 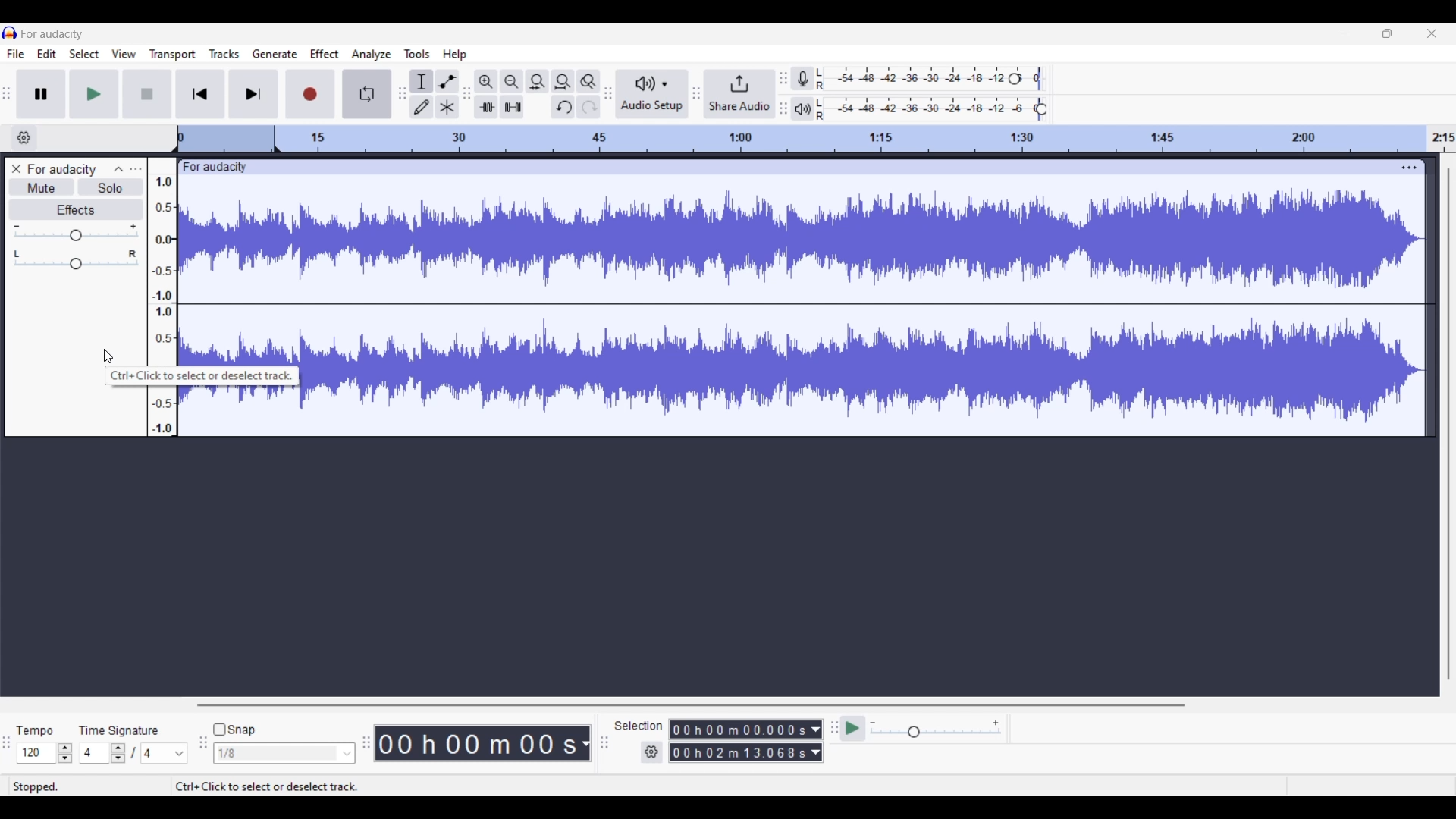 What do you see at coordinates (311, 94) in the screenshot?
I see `Record/Record new track` at bounding box center [311, 94].